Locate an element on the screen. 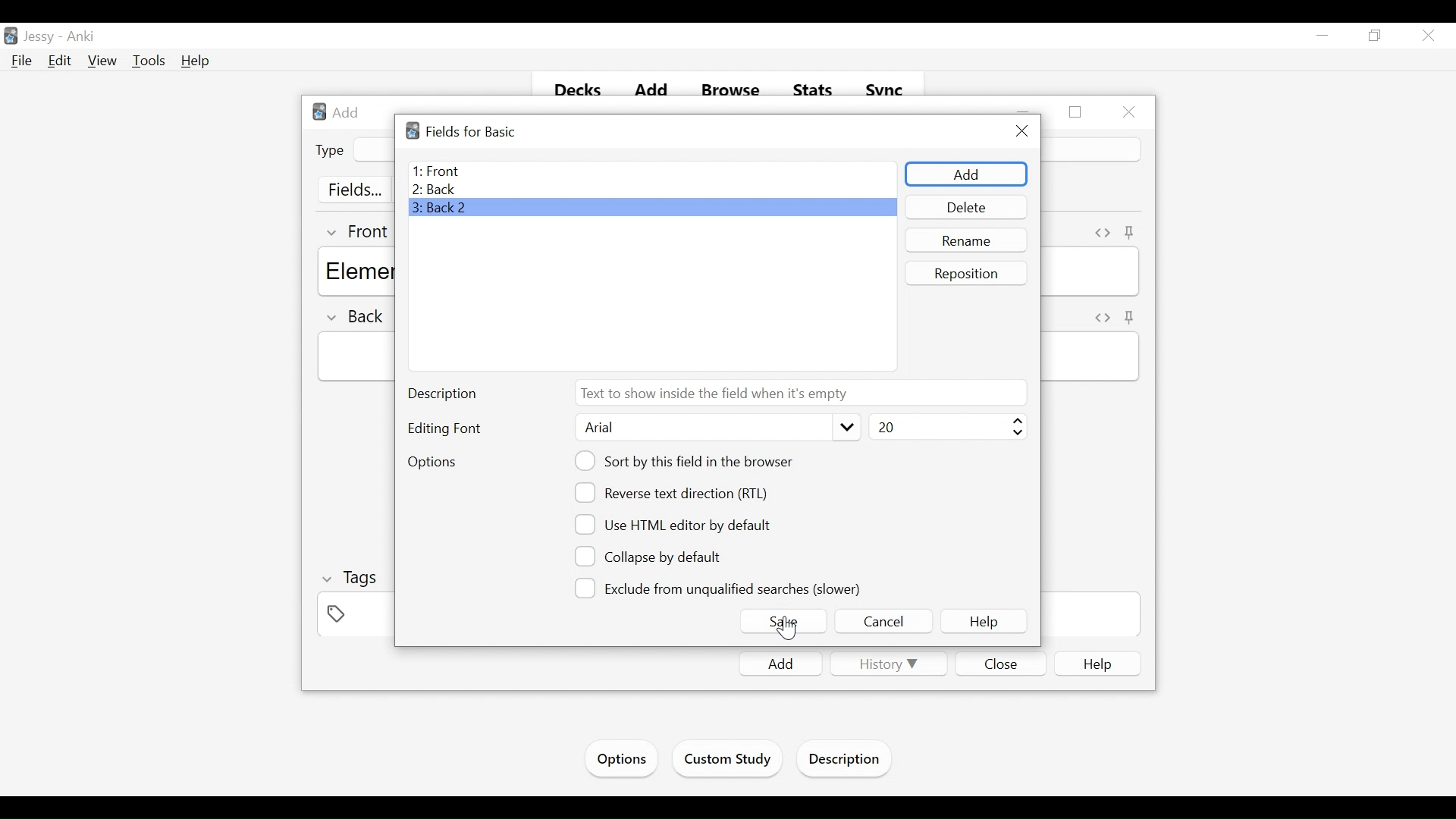 This screenshot has width=1456, height=819. Reposition is located at coordinates (964, 274).